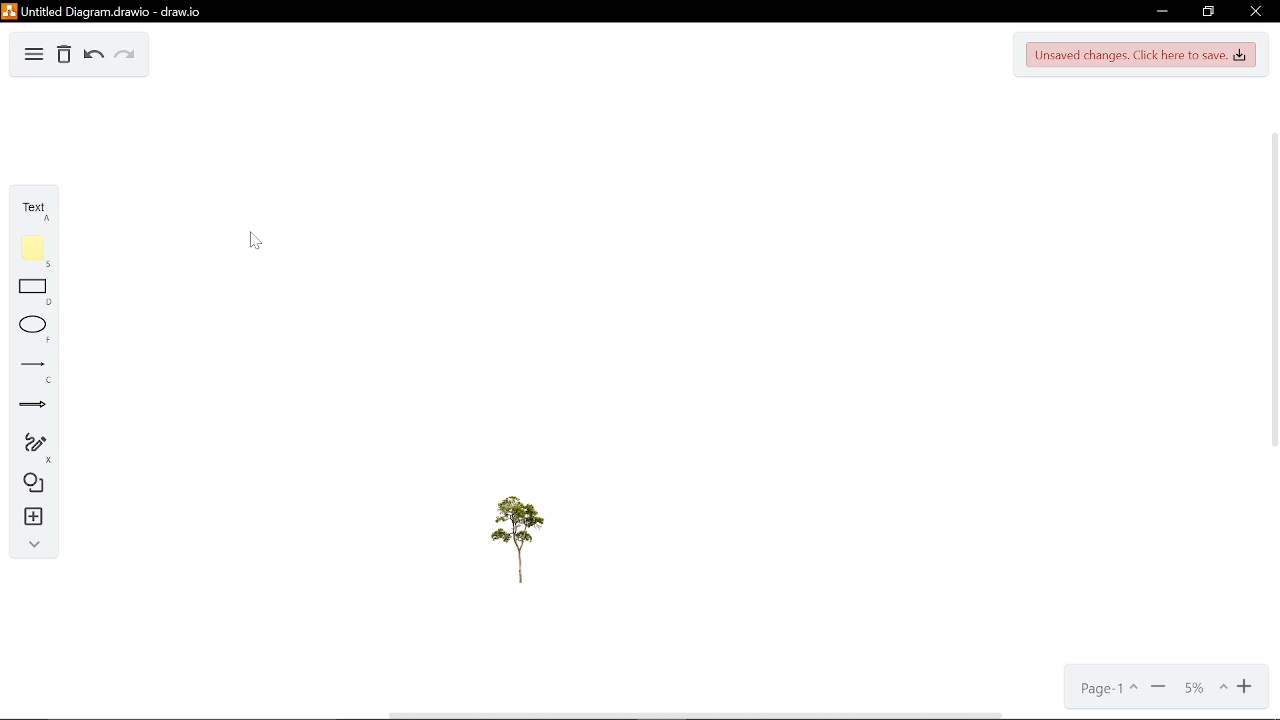 This screenshot has height=720, width=1280. What do you see at coordinates (28, 442) in the screenshot?
I see `Freehand` at bounding box center [28, 442].